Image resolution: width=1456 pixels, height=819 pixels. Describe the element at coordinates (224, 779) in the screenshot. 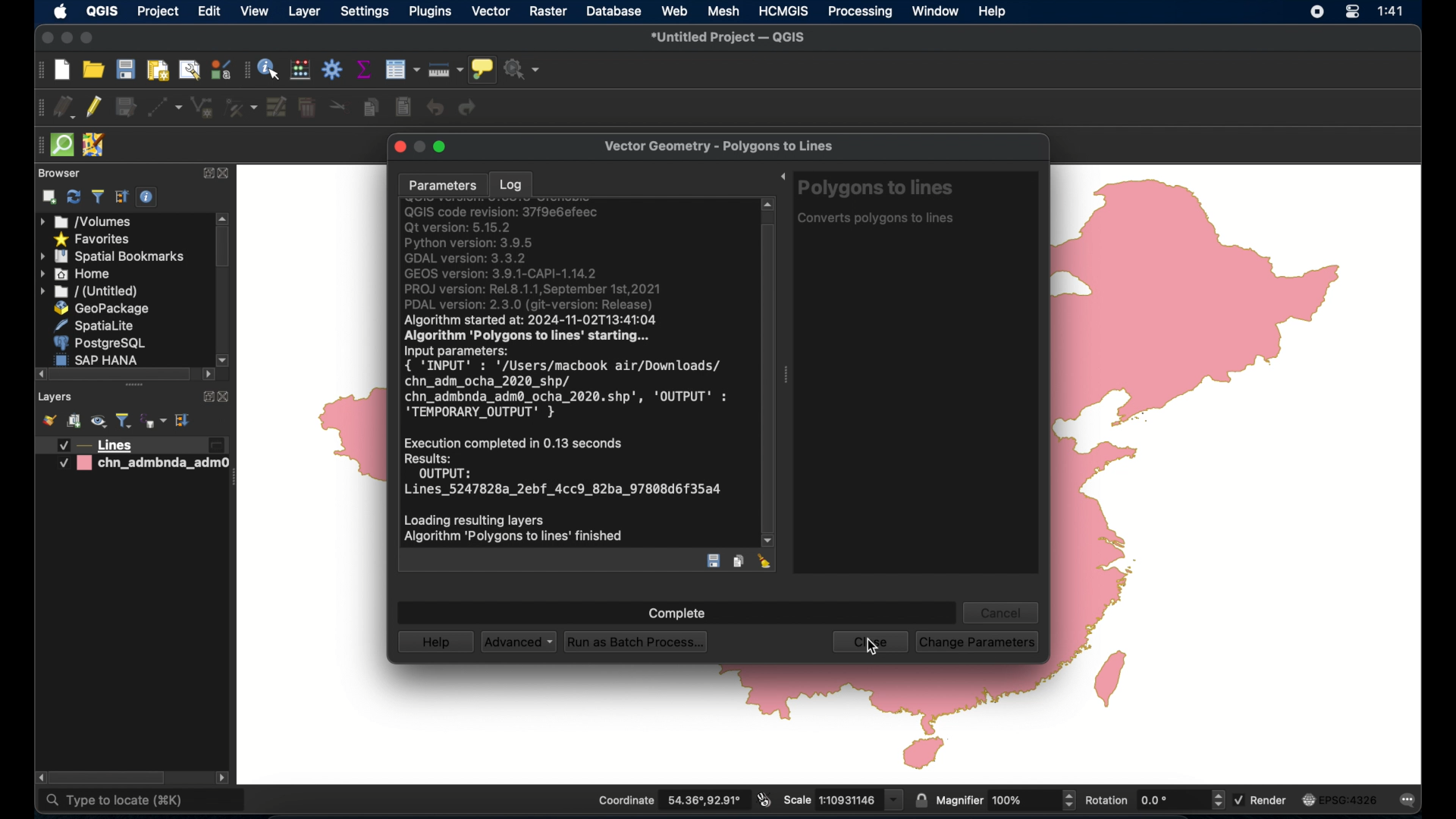

I see `scrol. lleft arrow` at that location.